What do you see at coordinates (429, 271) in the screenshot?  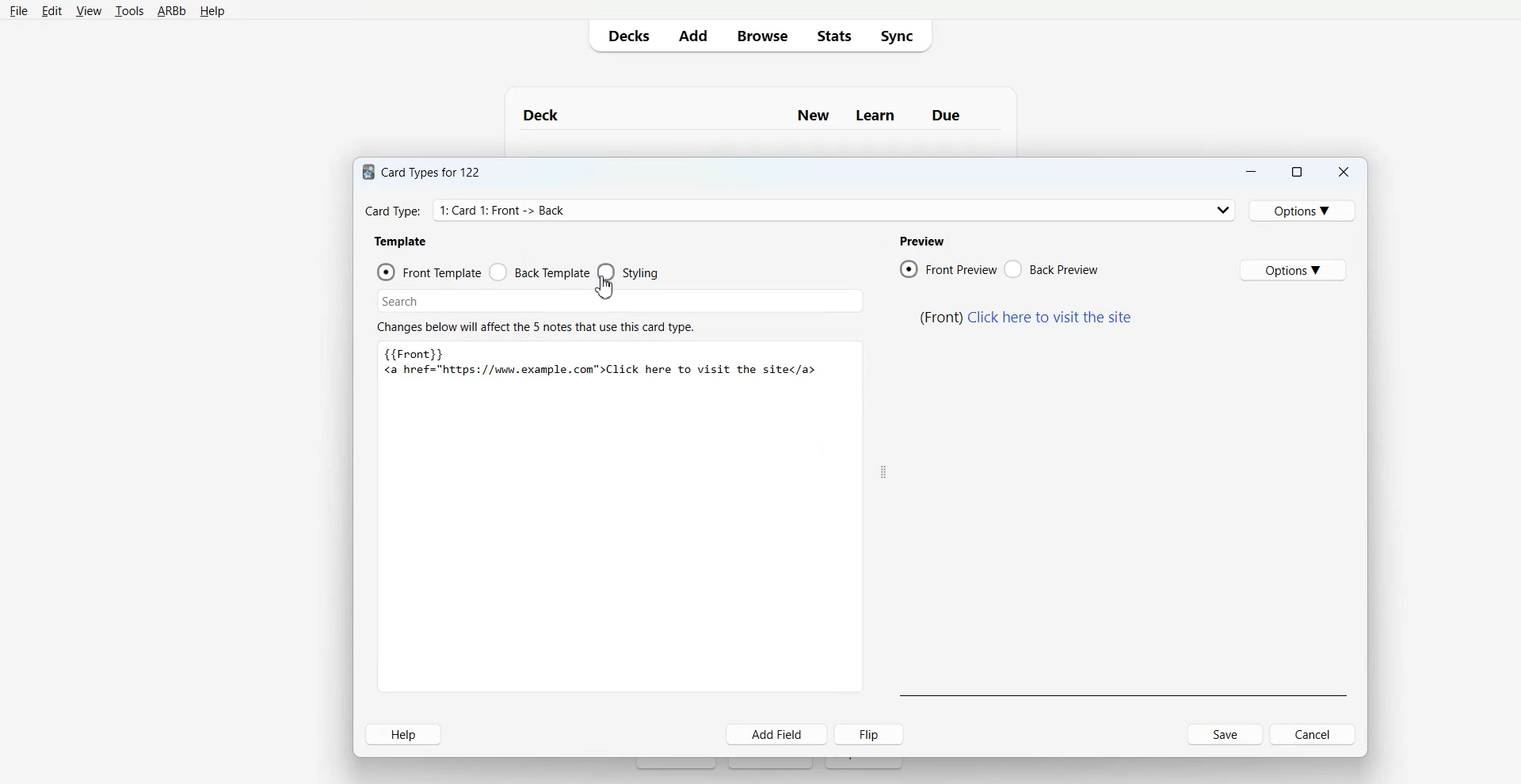 I see `Front Template` at bounding box center [429, 271].